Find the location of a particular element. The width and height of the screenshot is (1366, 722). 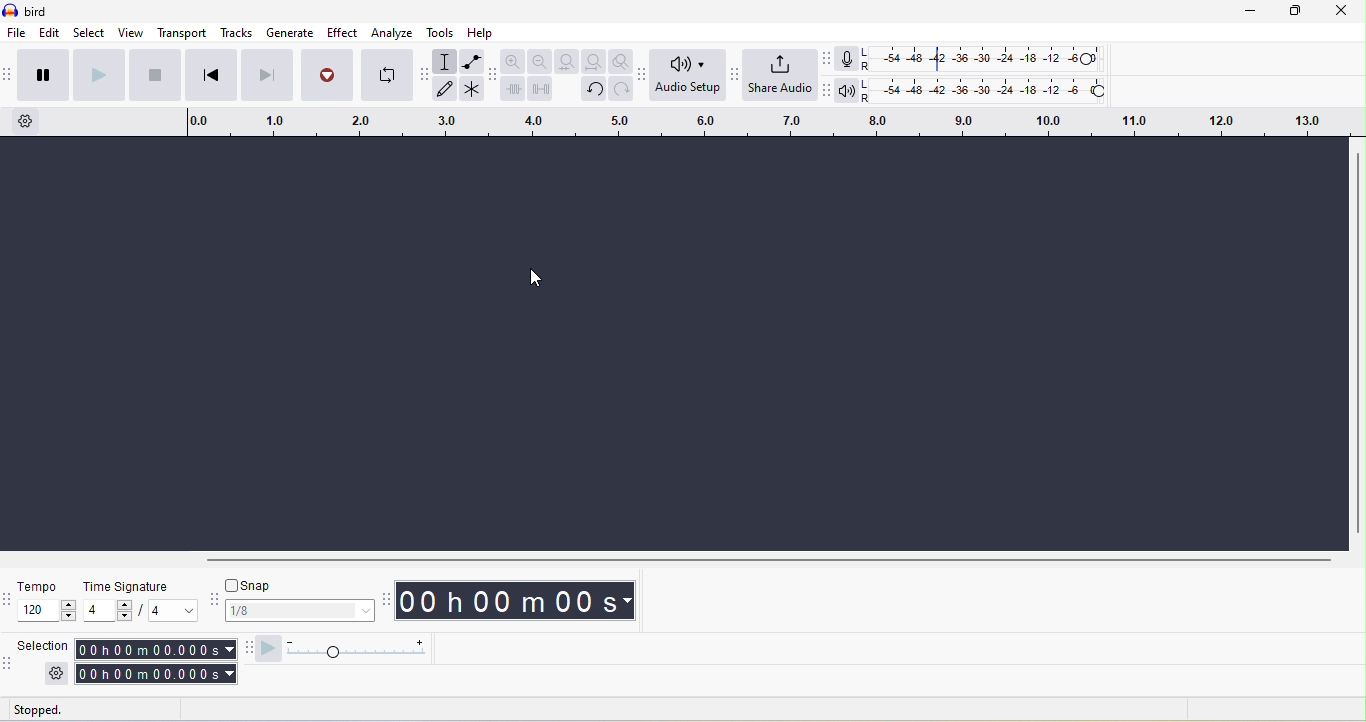

effect is located at coordinates (340, 34).